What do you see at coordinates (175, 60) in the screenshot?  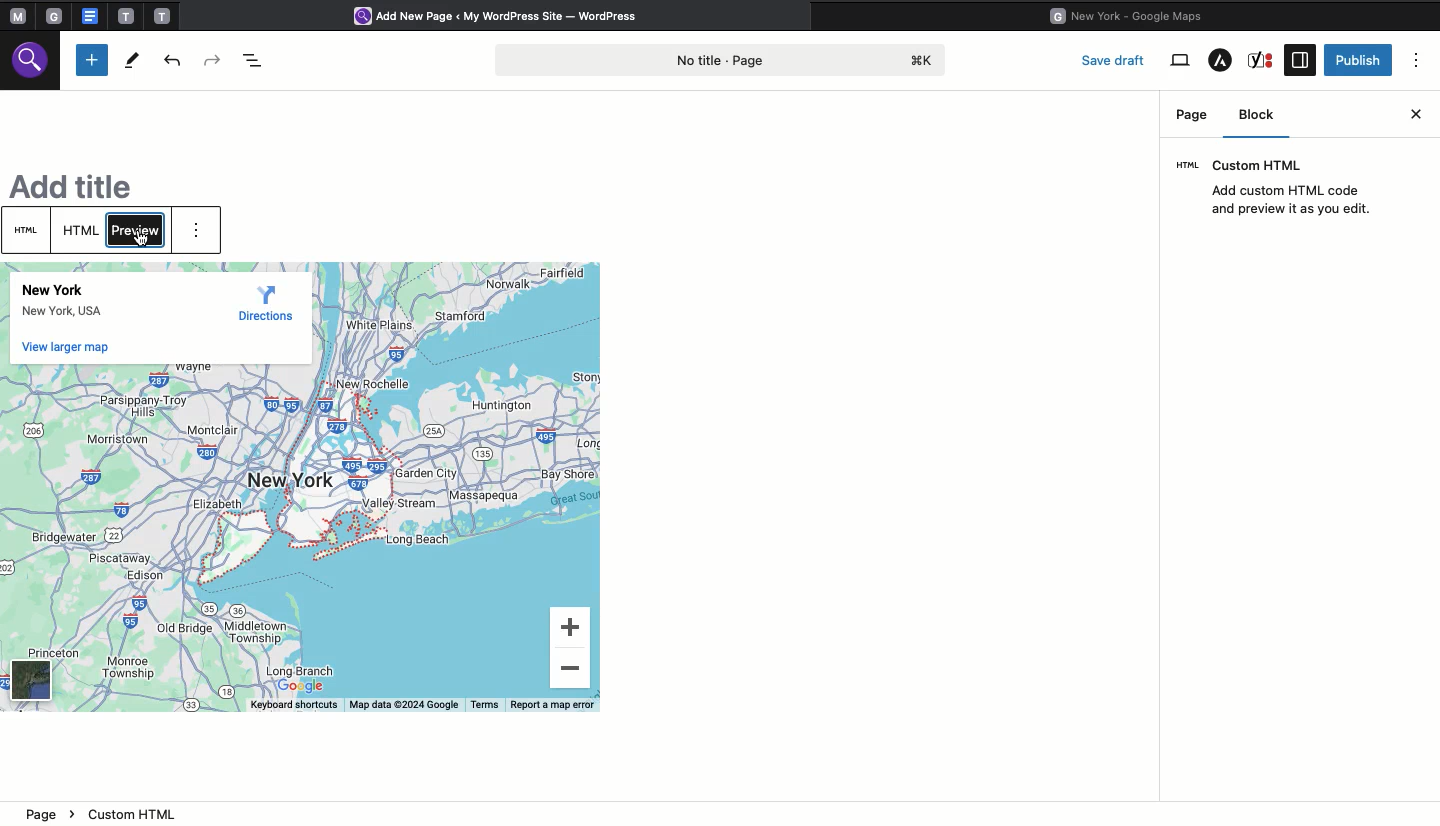 I see `Undo` at bounding box center [175, 60].